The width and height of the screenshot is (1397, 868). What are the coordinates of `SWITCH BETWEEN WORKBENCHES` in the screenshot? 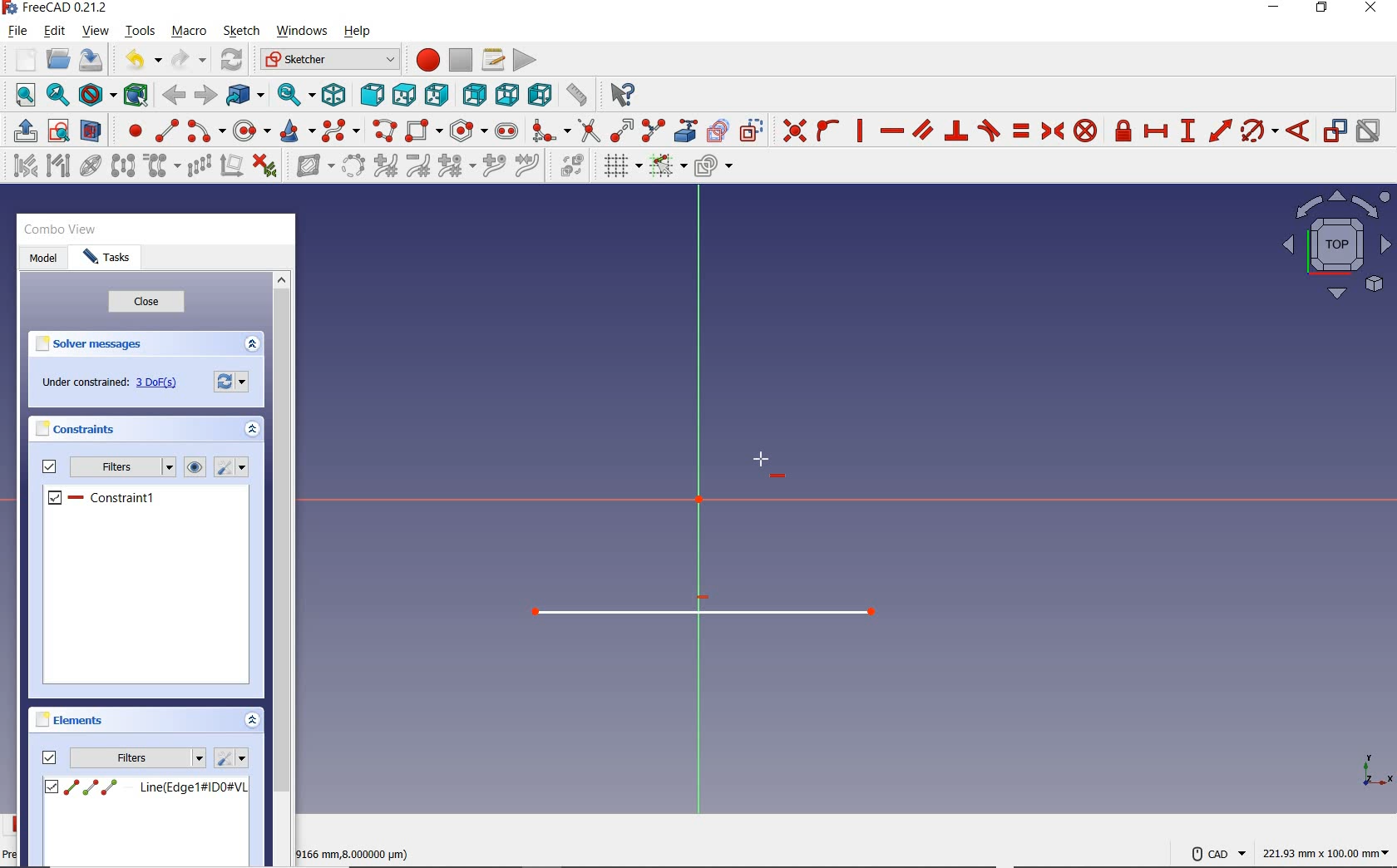 It's located at (330, 59).